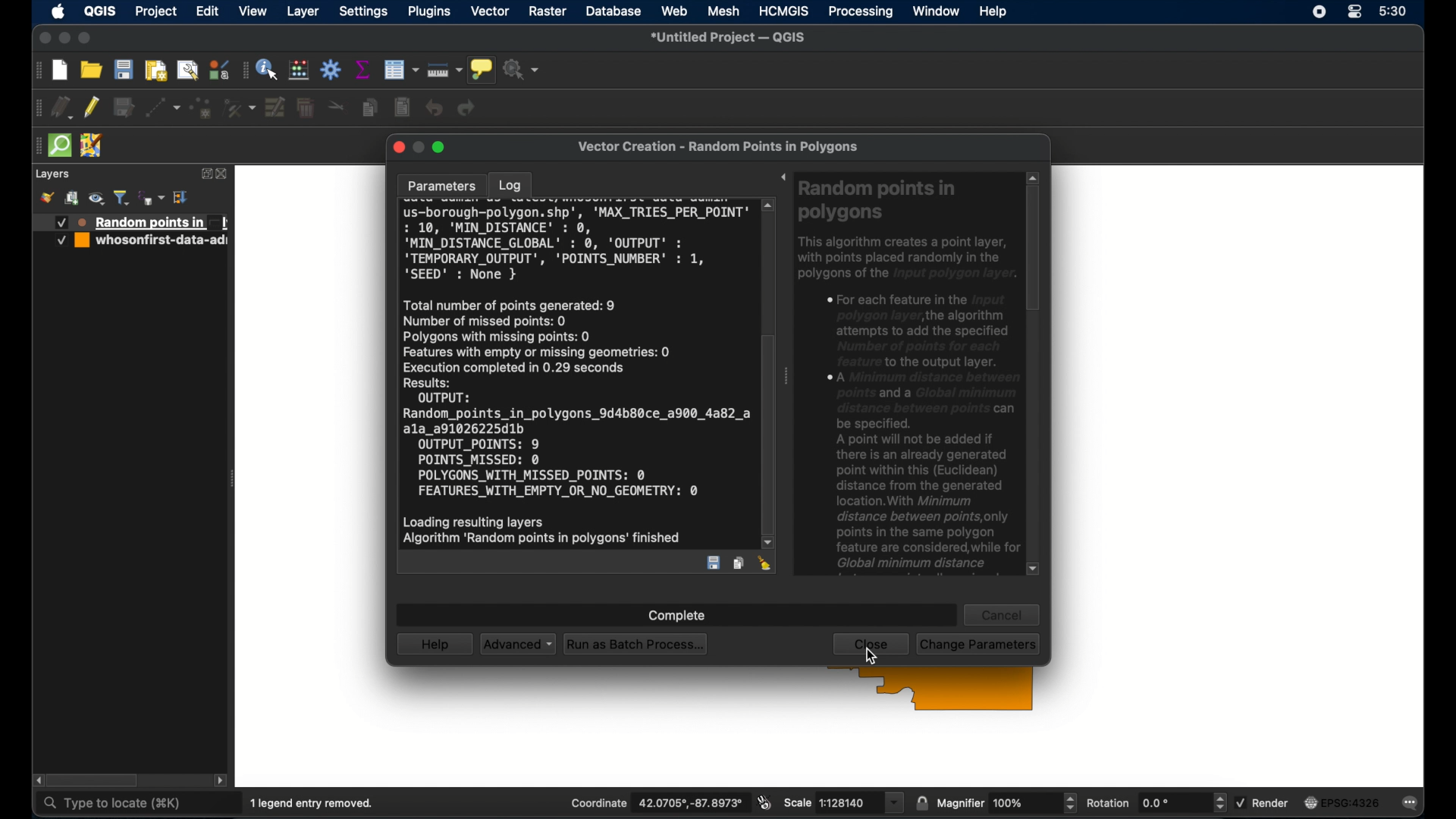 Image resolution: width=1456 pixels, height=819 pixels. What do you see at coordinates (205, 174) in the screenshot?
I see `expand` at bounding box center [205, 174].